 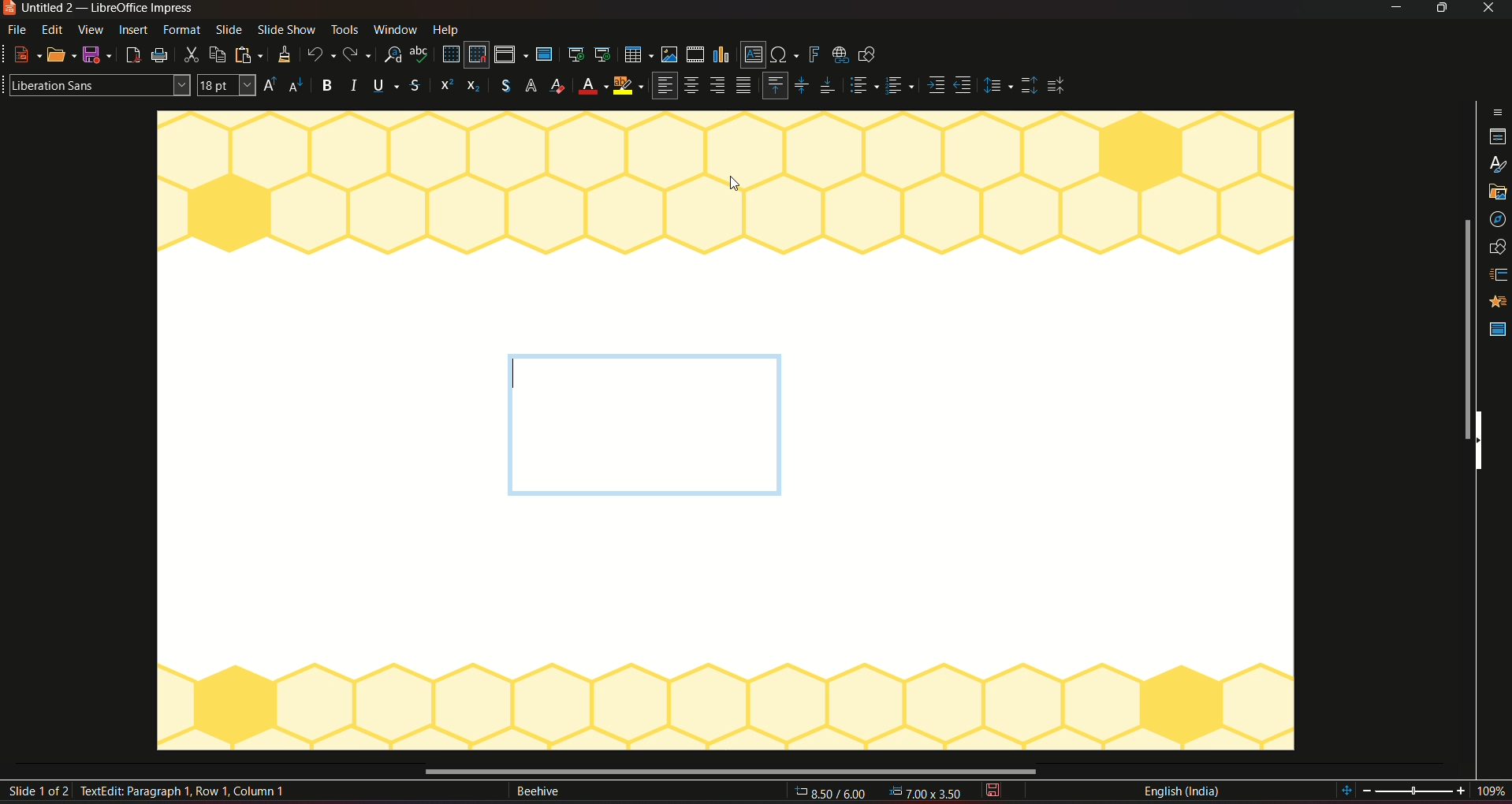 What do you see at coordinates (96, 84) in the screenshot?
I see `font stylre` at bounding box center [96, 84].